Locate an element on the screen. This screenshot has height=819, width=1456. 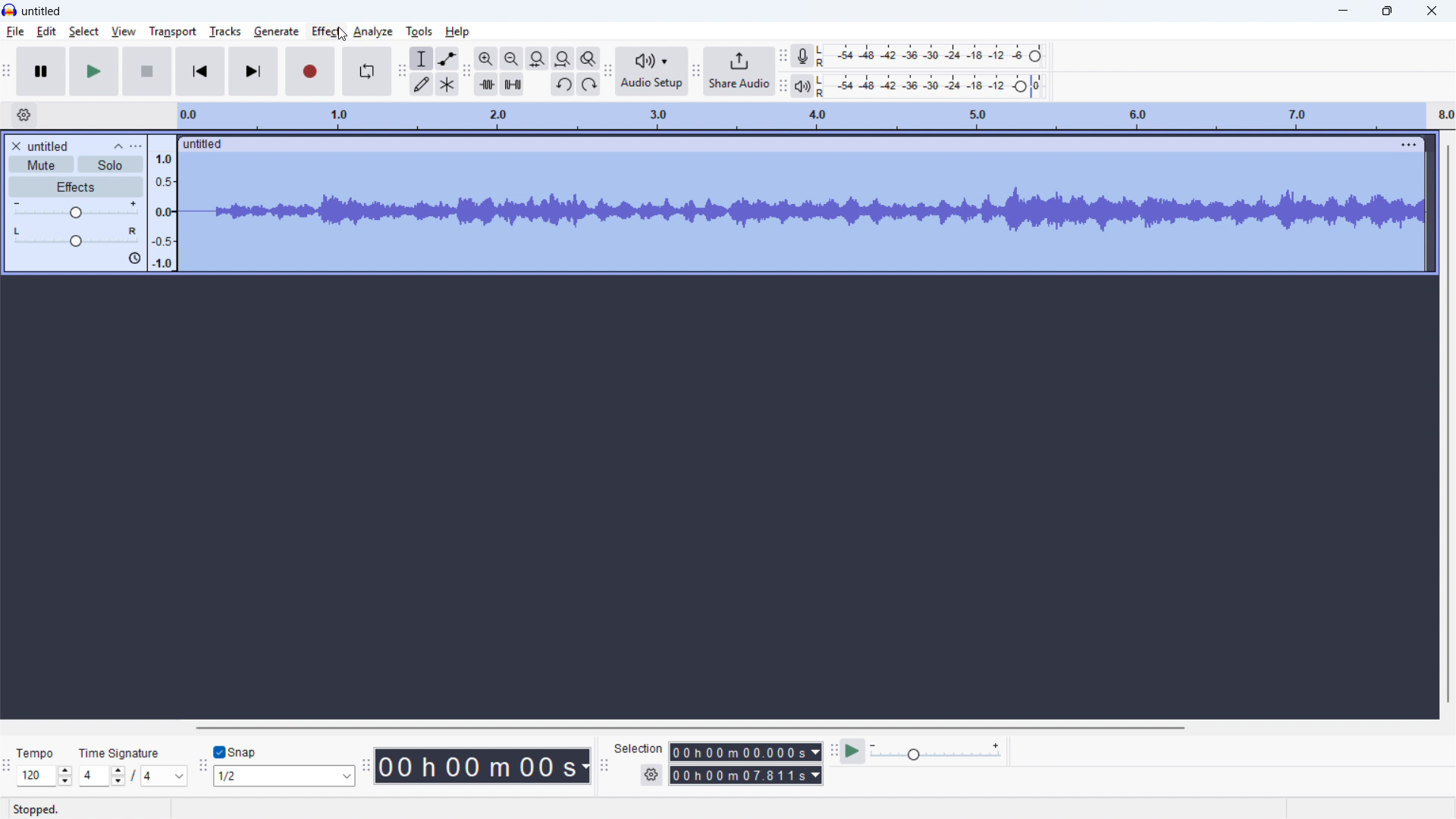
solo is located at coordinates (111, 165).